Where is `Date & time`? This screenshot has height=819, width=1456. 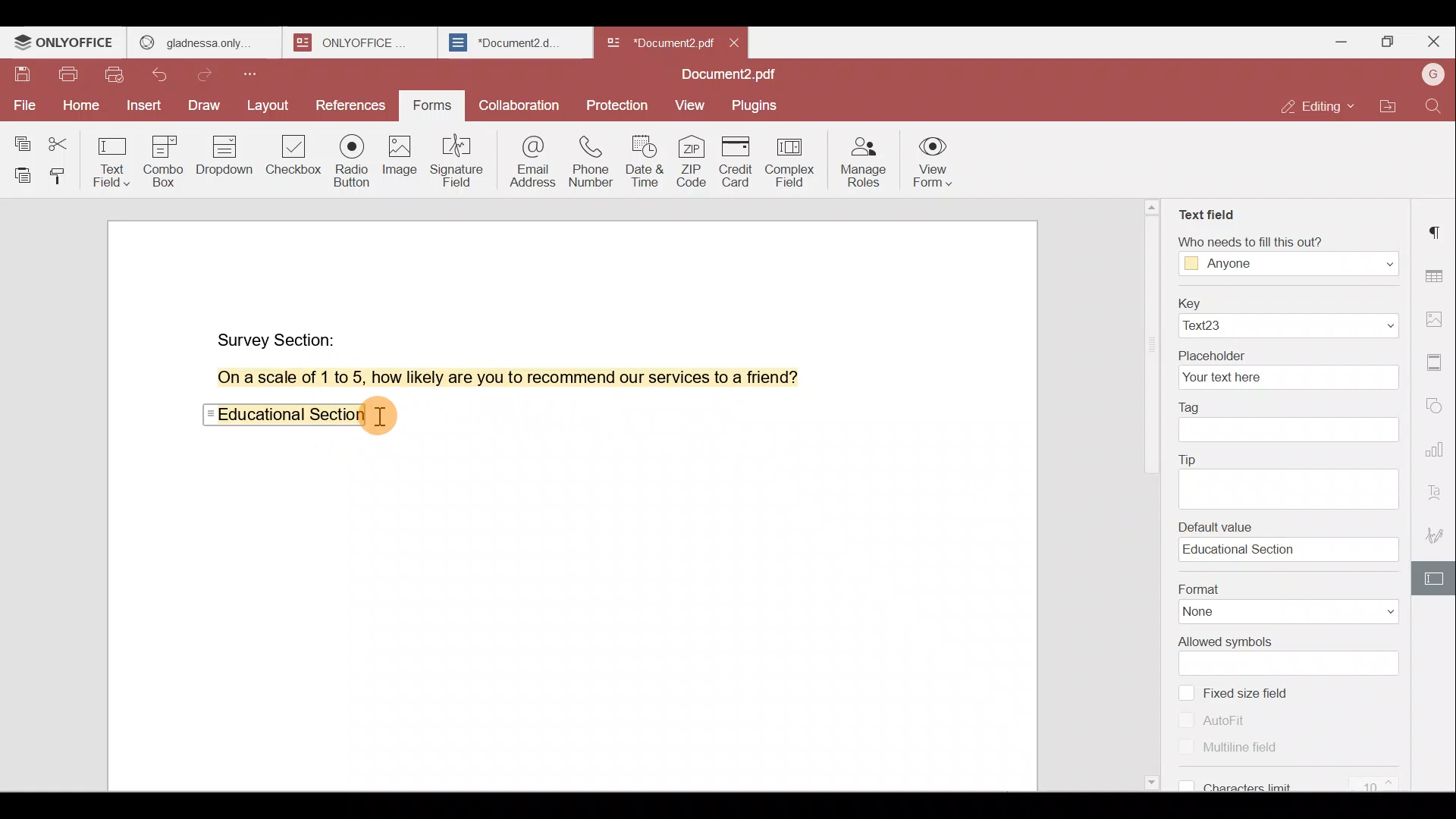
Date & time is located at coordinates (642, 157).